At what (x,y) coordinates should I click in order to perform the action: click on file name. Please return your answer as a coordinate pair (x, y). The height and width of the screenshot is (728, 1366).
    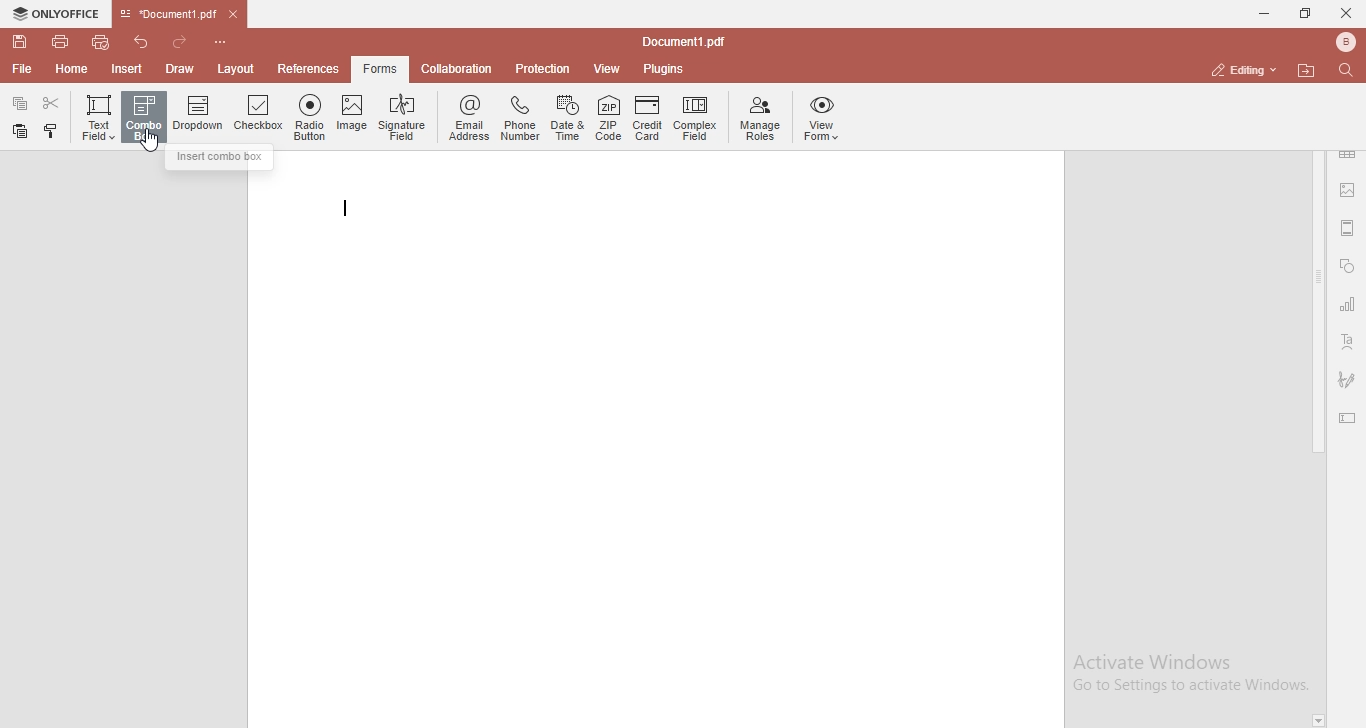
    Looking at the image, I should click on (688, 43).